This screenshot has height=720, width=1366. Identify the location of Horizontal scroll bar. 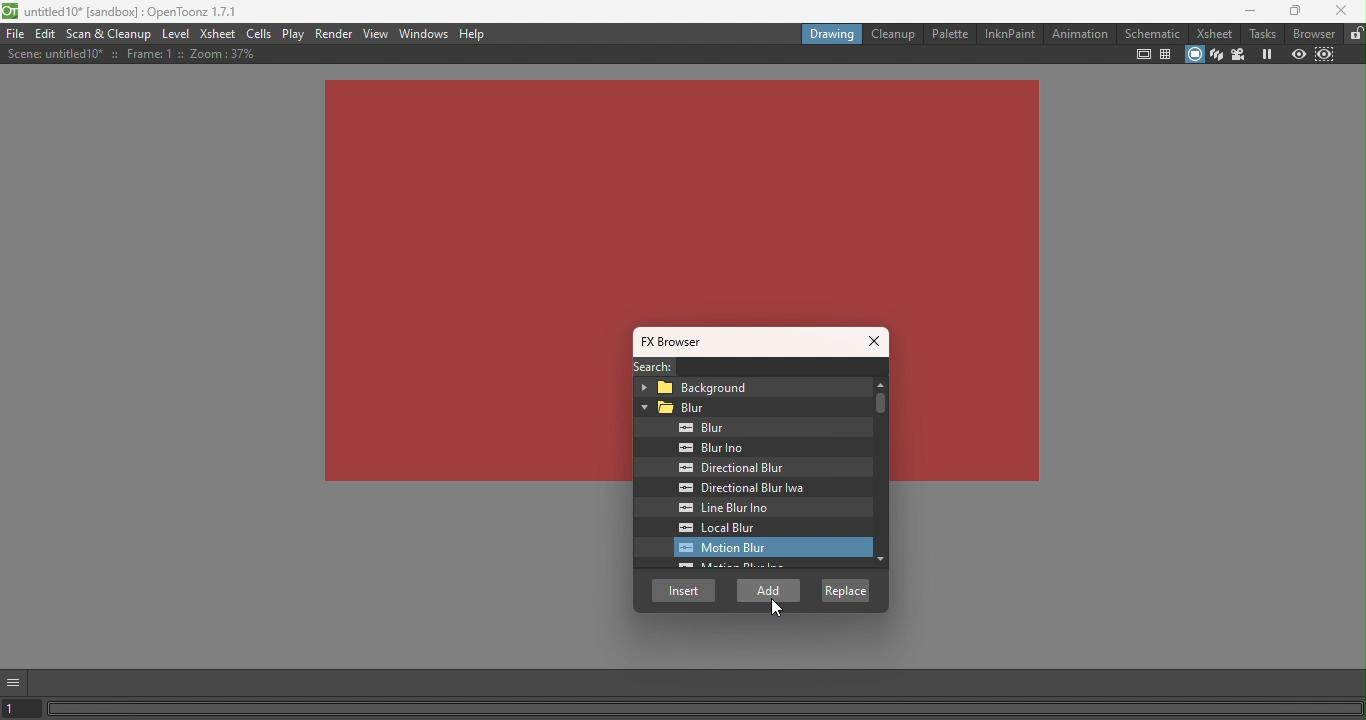
(706, 708).